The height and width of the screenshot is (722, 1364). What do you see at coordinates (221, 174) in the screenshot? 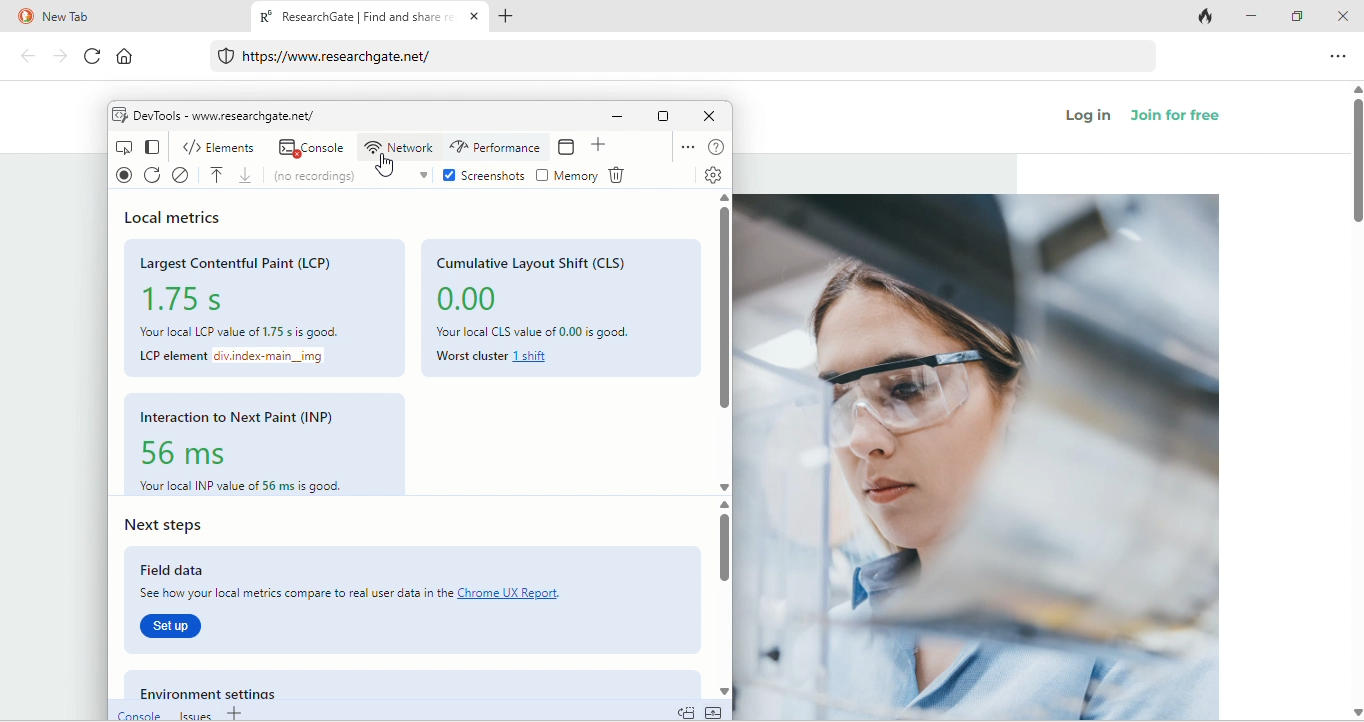
I see `load` at bounding box center [221, 174].